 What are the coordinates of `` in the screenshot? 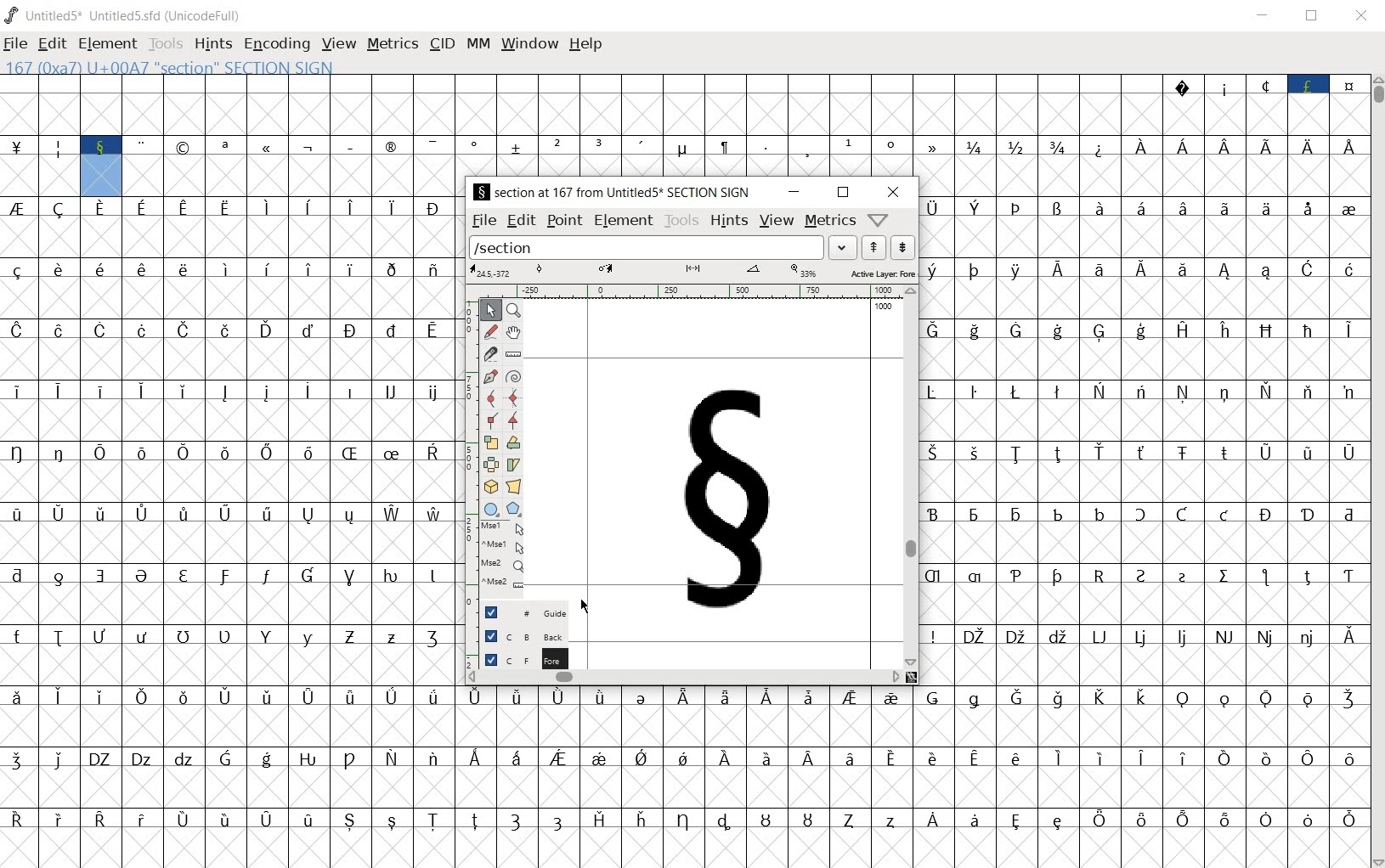 It's located at (1142, 452).